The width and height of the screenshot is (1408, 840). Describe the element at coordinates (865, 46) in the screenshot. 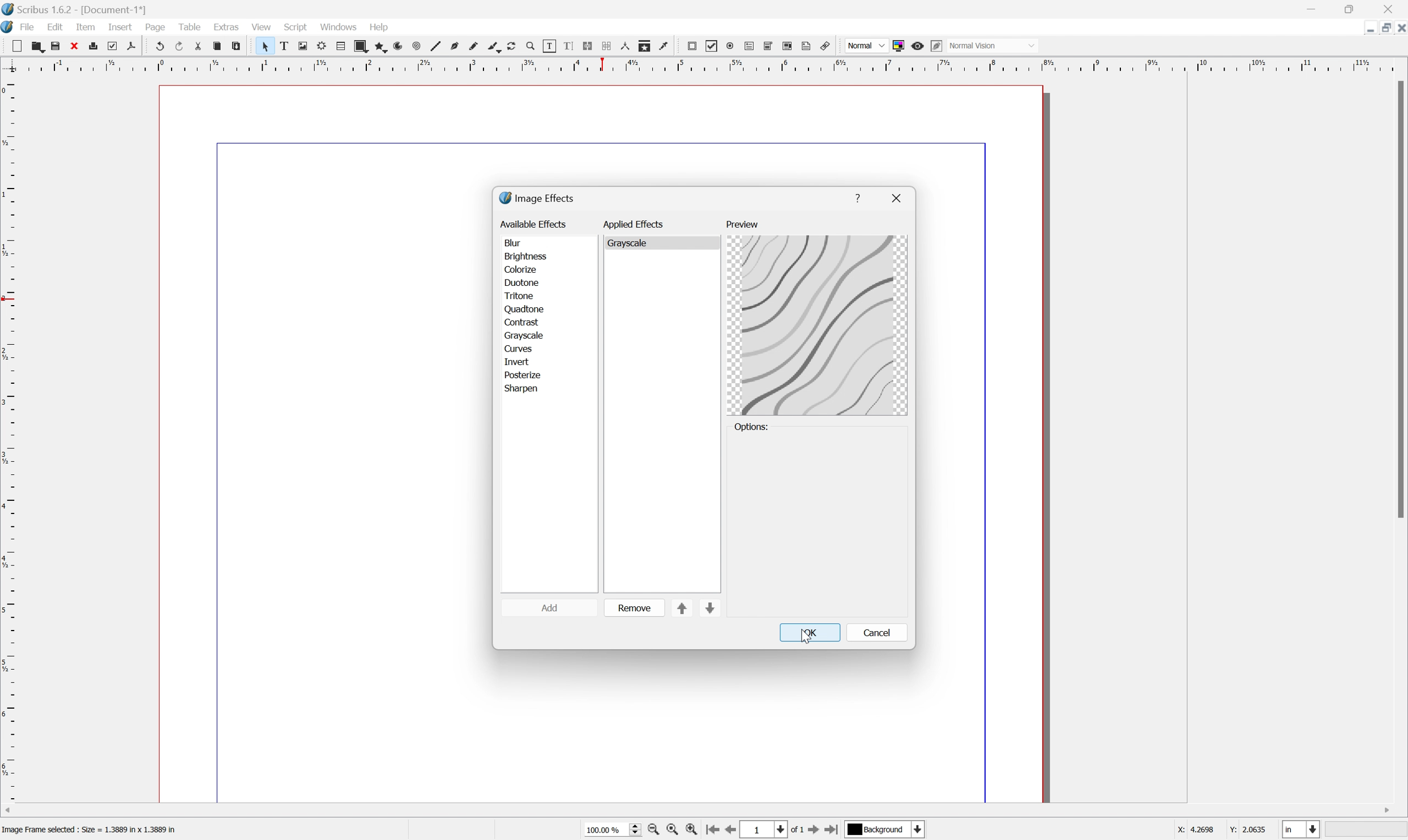

I see `Normal` at that location.